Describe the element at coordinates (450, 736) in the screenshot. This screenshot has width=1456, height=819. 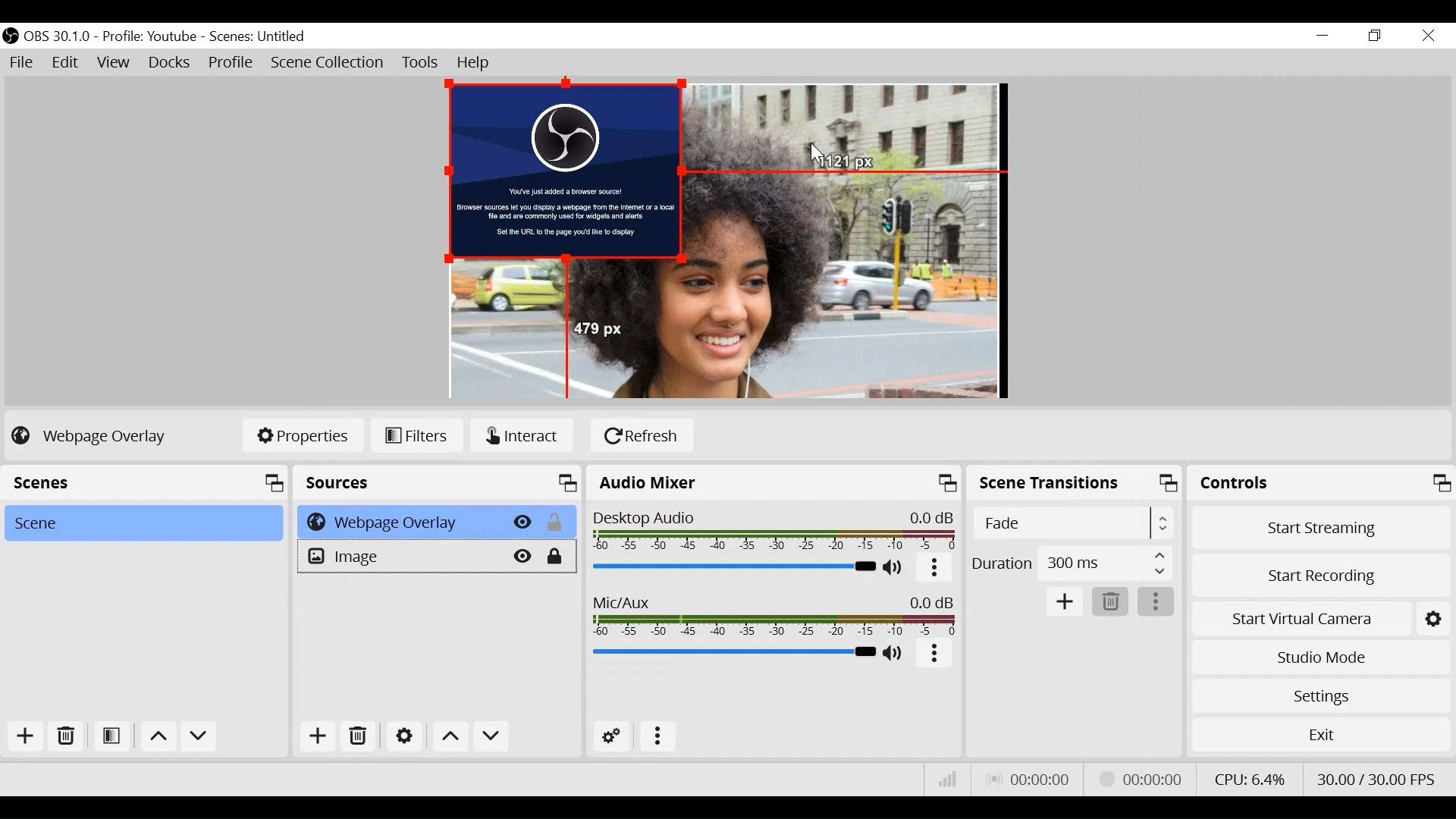
I see `Move Up` at that location.